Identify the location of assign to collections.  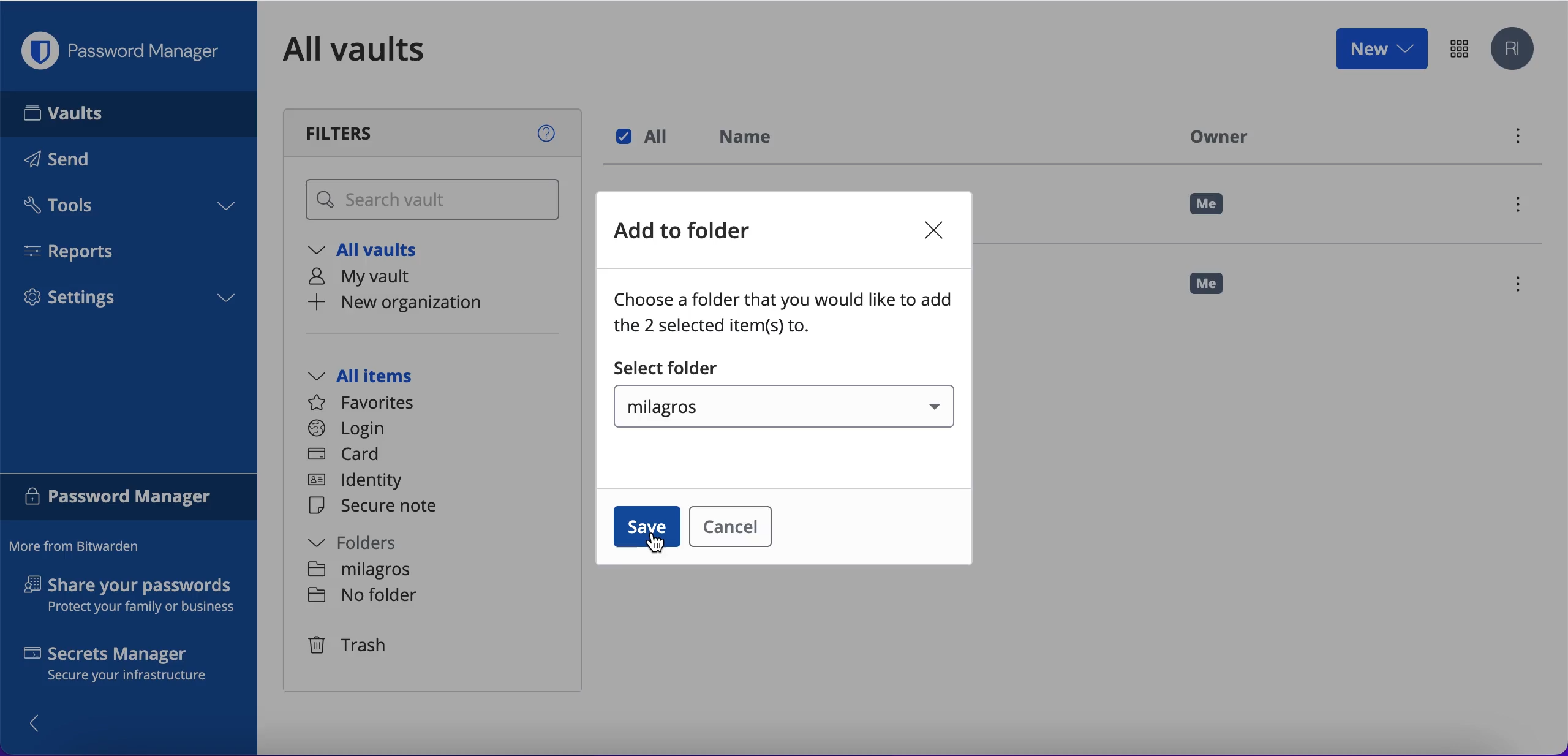
(1515, 205).